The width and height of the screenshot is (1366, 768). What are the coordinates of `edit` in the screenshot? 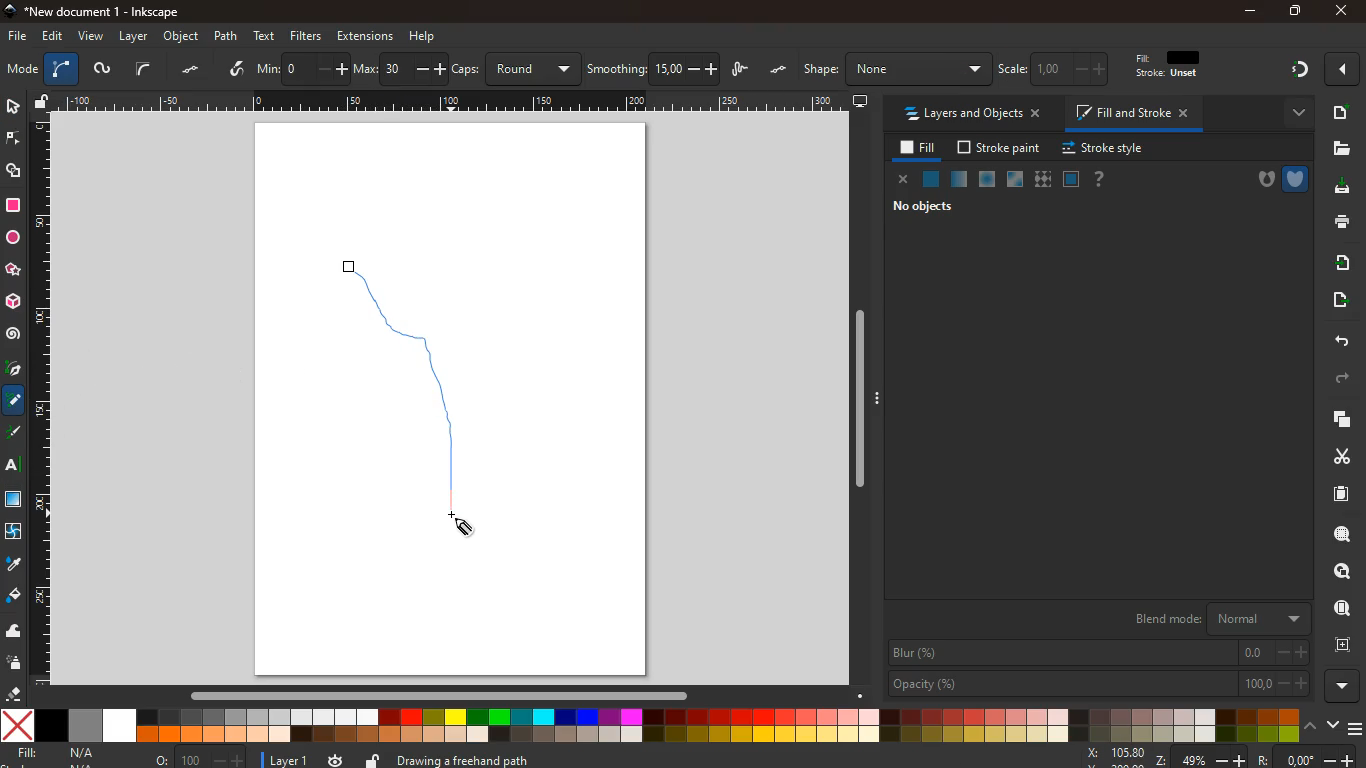 It's located at (1060, 69).